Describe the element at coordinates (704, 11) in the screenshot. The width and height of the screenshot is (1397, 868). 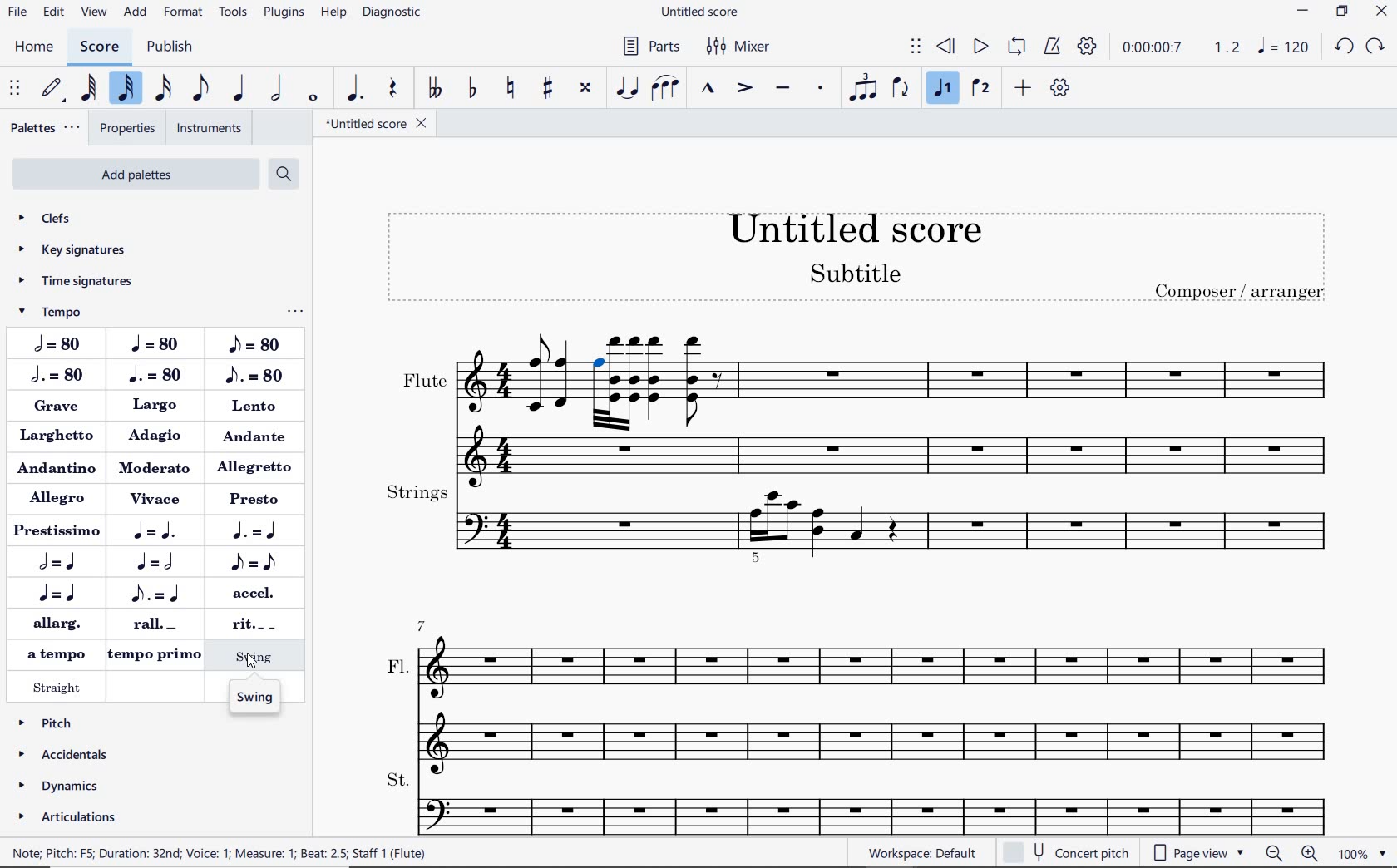
I see `file name` at that location.